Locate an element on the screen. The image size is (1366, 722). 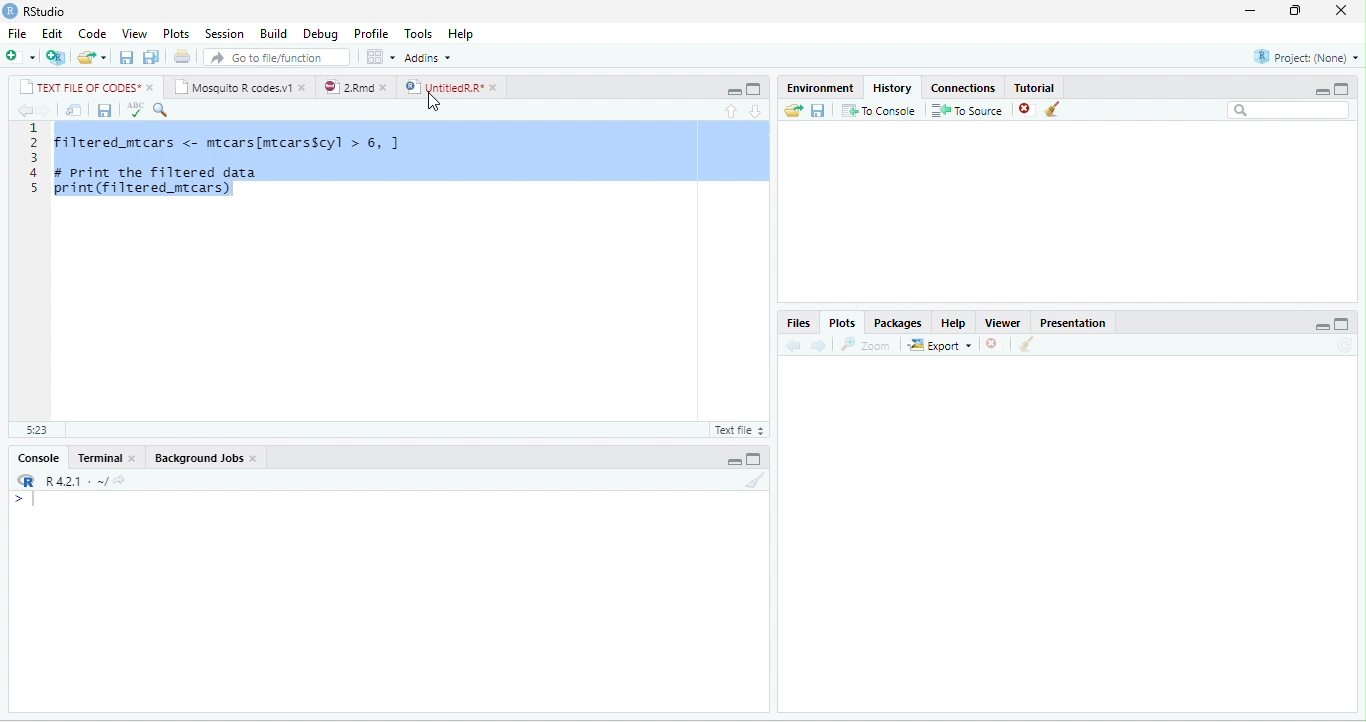
open folder is located at coordinates (793, 110).